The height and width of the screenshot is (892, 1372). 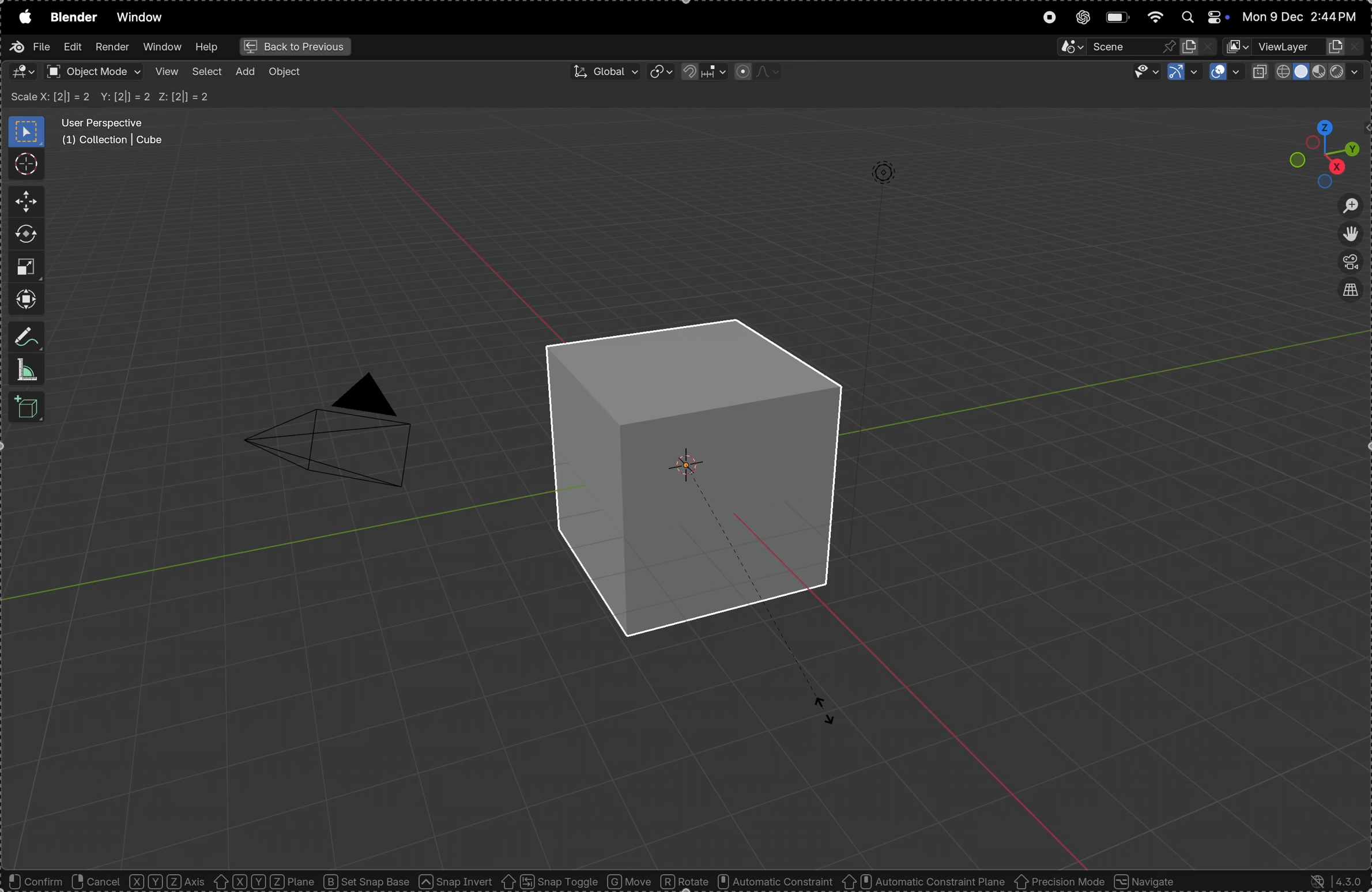 What do you see at coordinates (659, 73) in the screenshot?
I see `transform pviot` at bounding box center [659, 73].